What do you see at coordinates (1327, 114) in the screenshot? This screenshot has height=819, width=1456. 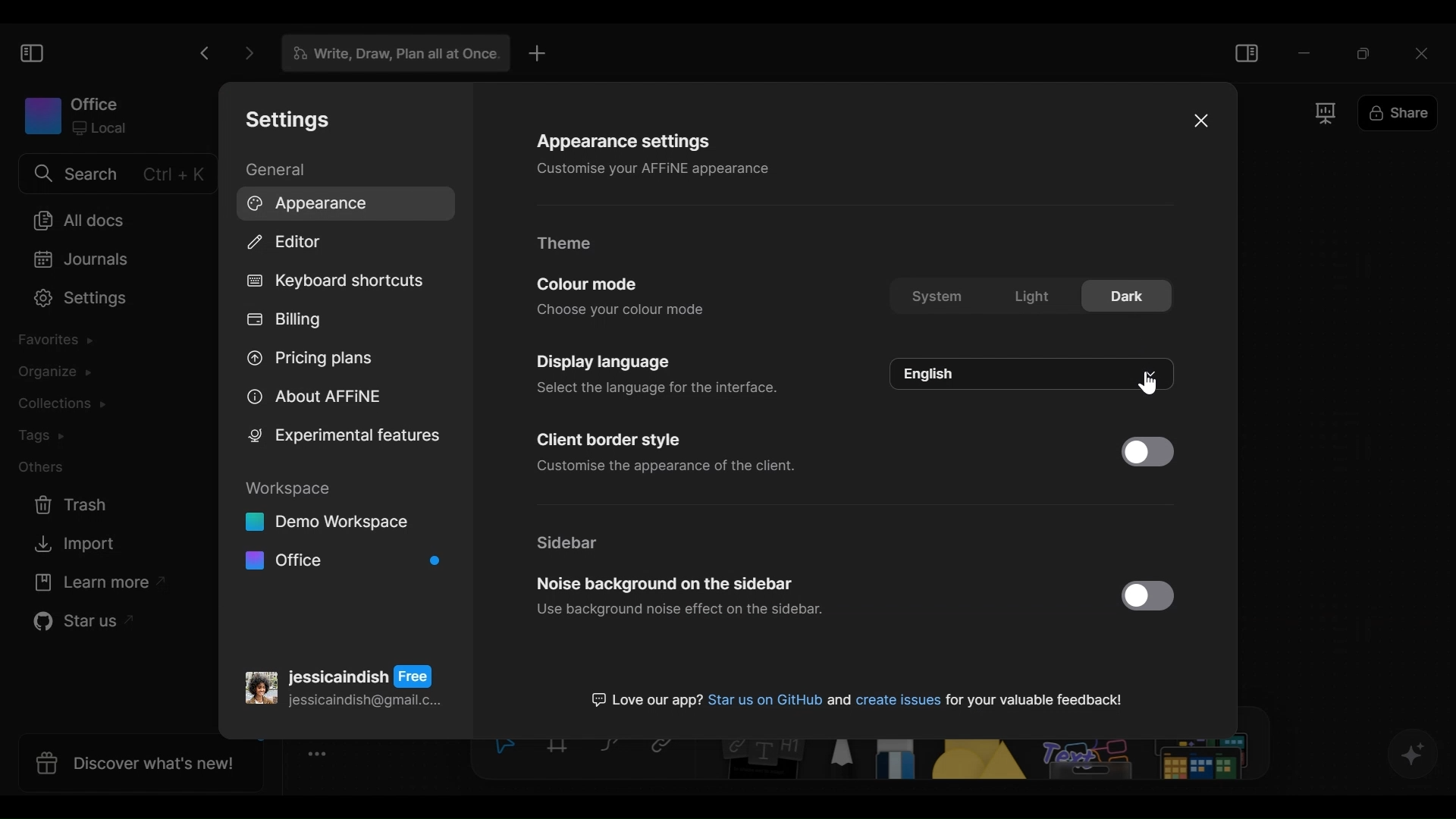 I see `Frame` at bounding box center [1327, 114].